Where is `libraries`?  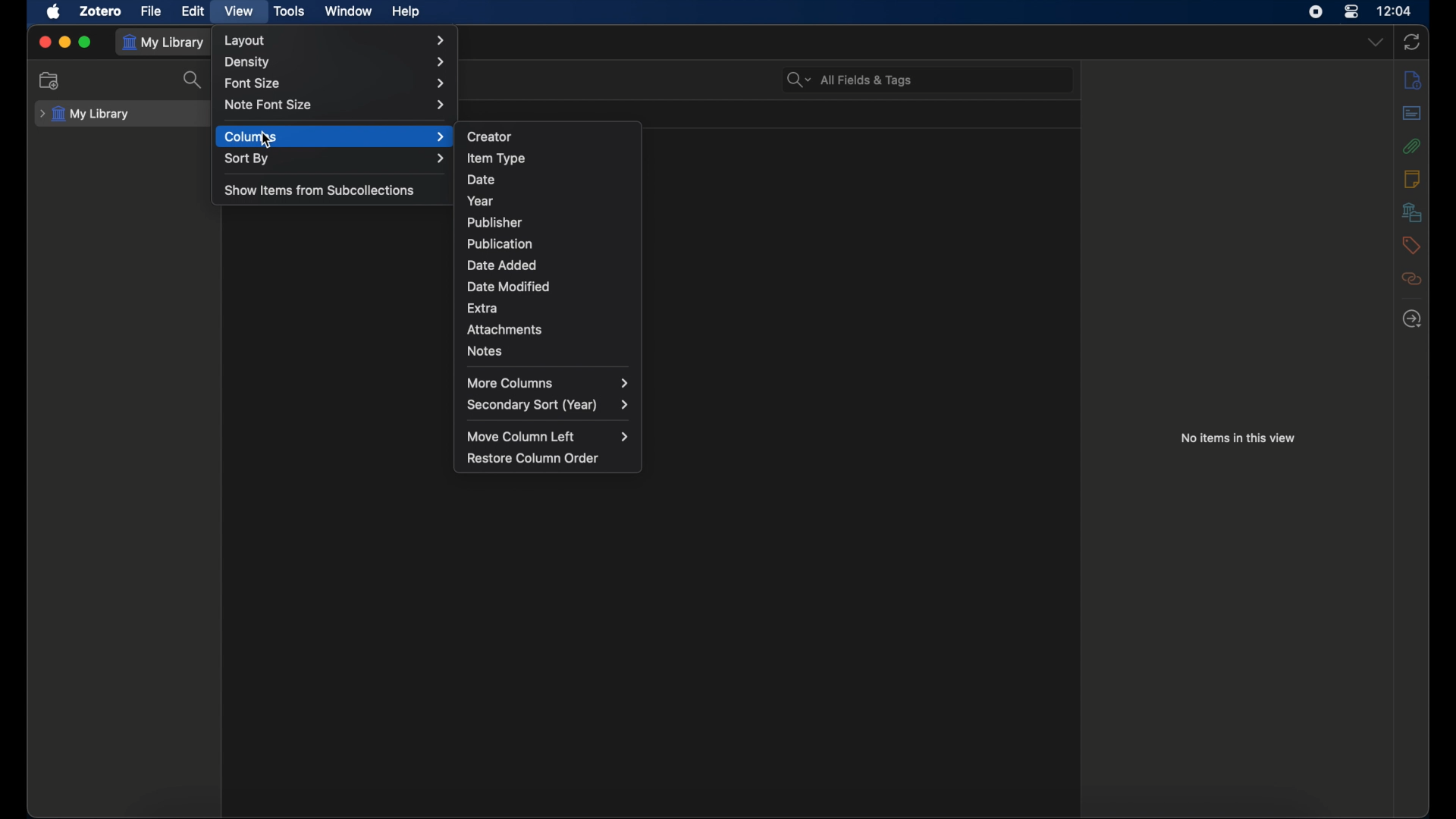
libraries is located at coordinates (1411, 212).